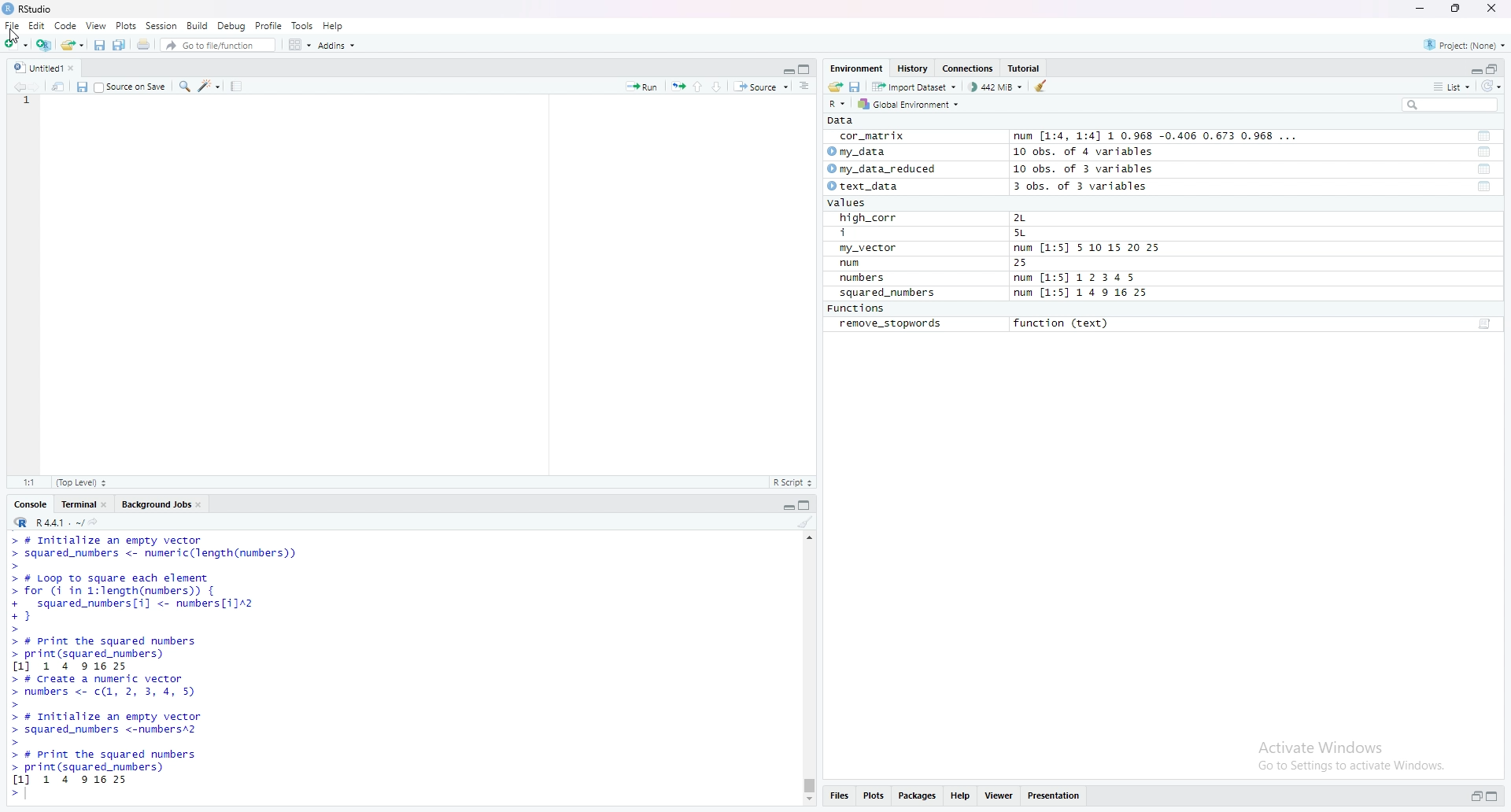 The width and height of the screenshot is (1511, 812). What do you see at coordinates (855, 87) in the screenshot?
I see `Save workspace` at bounding box center [855, 87].